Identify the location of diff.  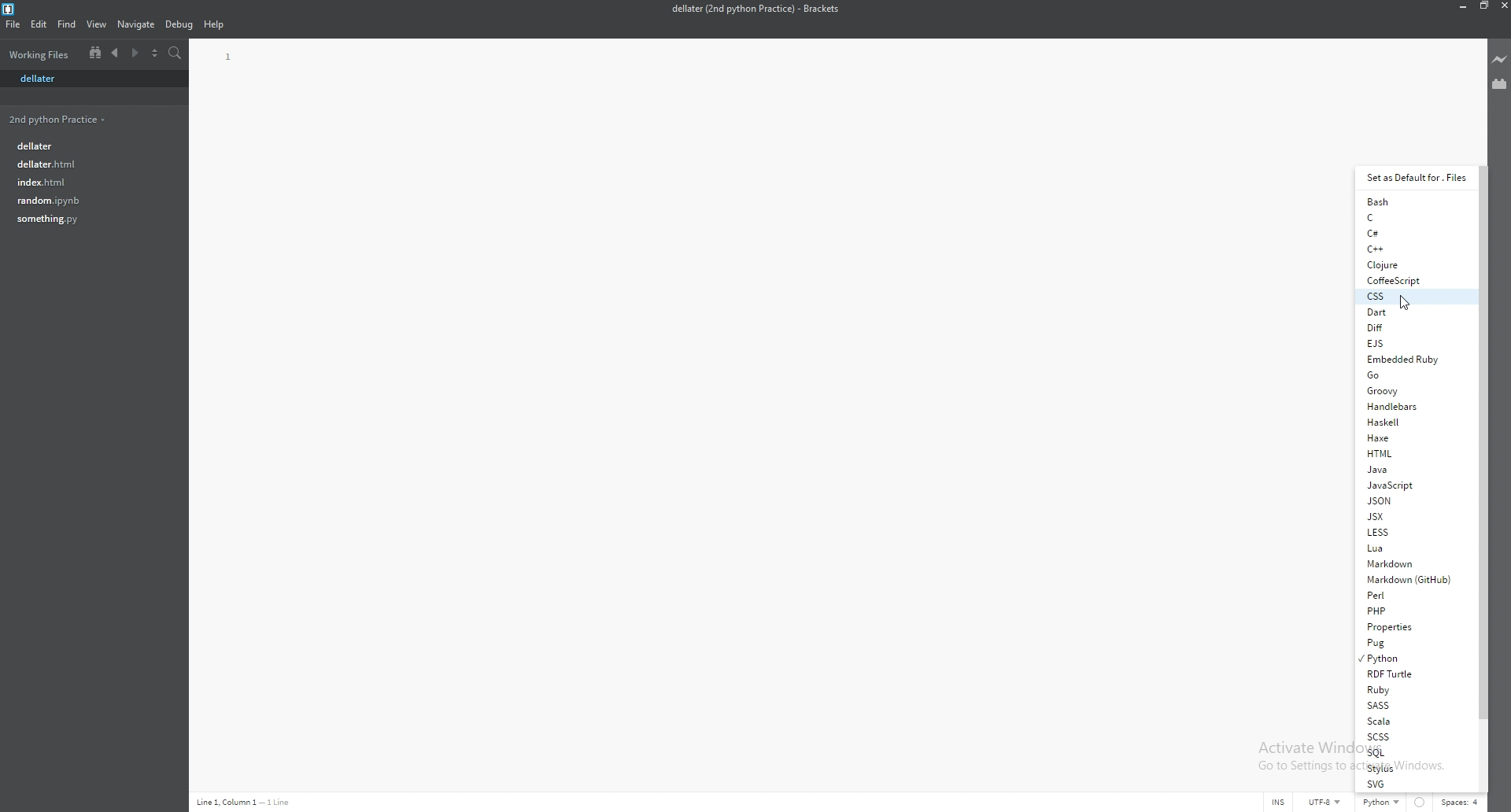
(1413, 327).